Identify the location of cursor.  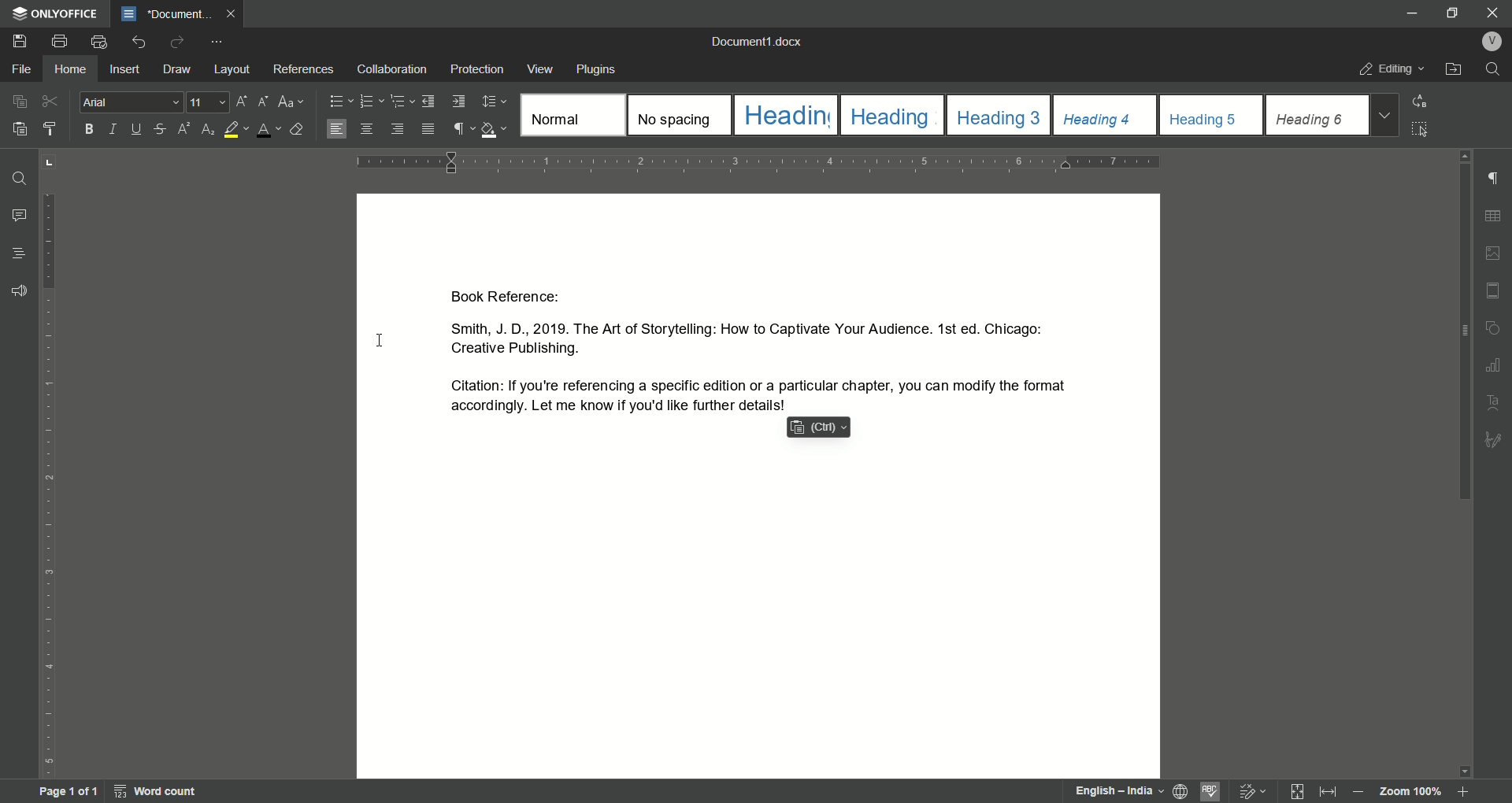
(380, 340).